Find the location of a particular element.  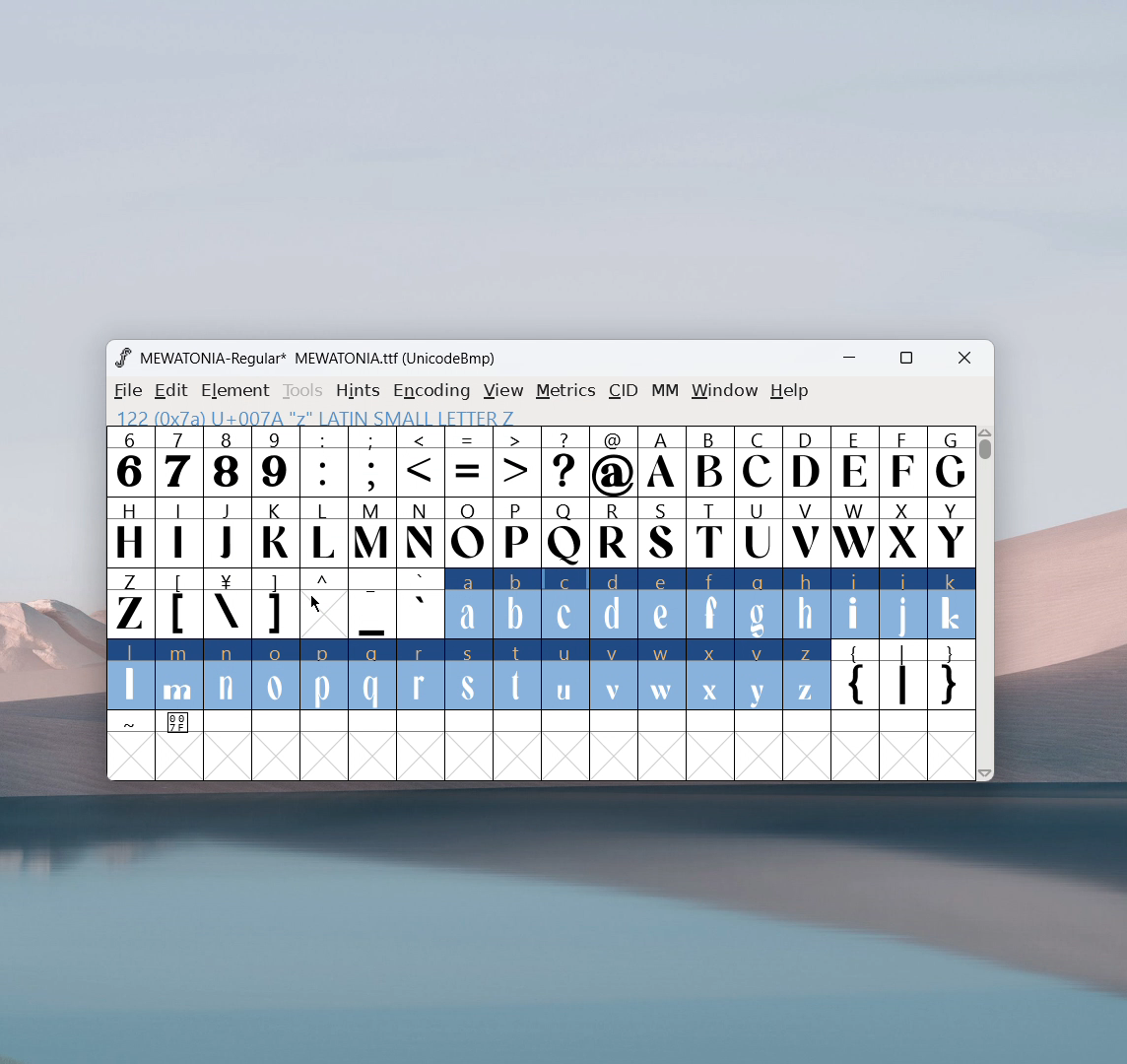

l is located at coordinates (131, 674).